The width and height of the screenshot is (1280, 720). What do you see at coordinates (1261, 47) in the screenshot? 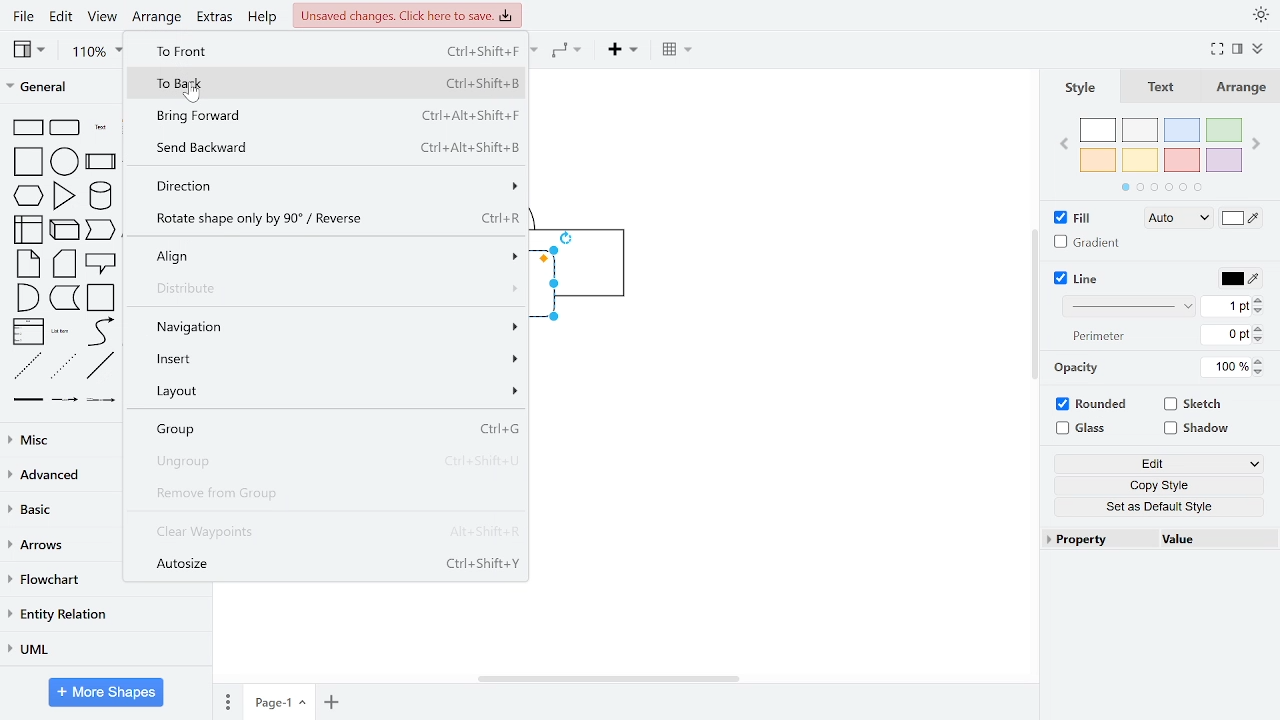
I see `collapse` at bounding box center [1261, 47].